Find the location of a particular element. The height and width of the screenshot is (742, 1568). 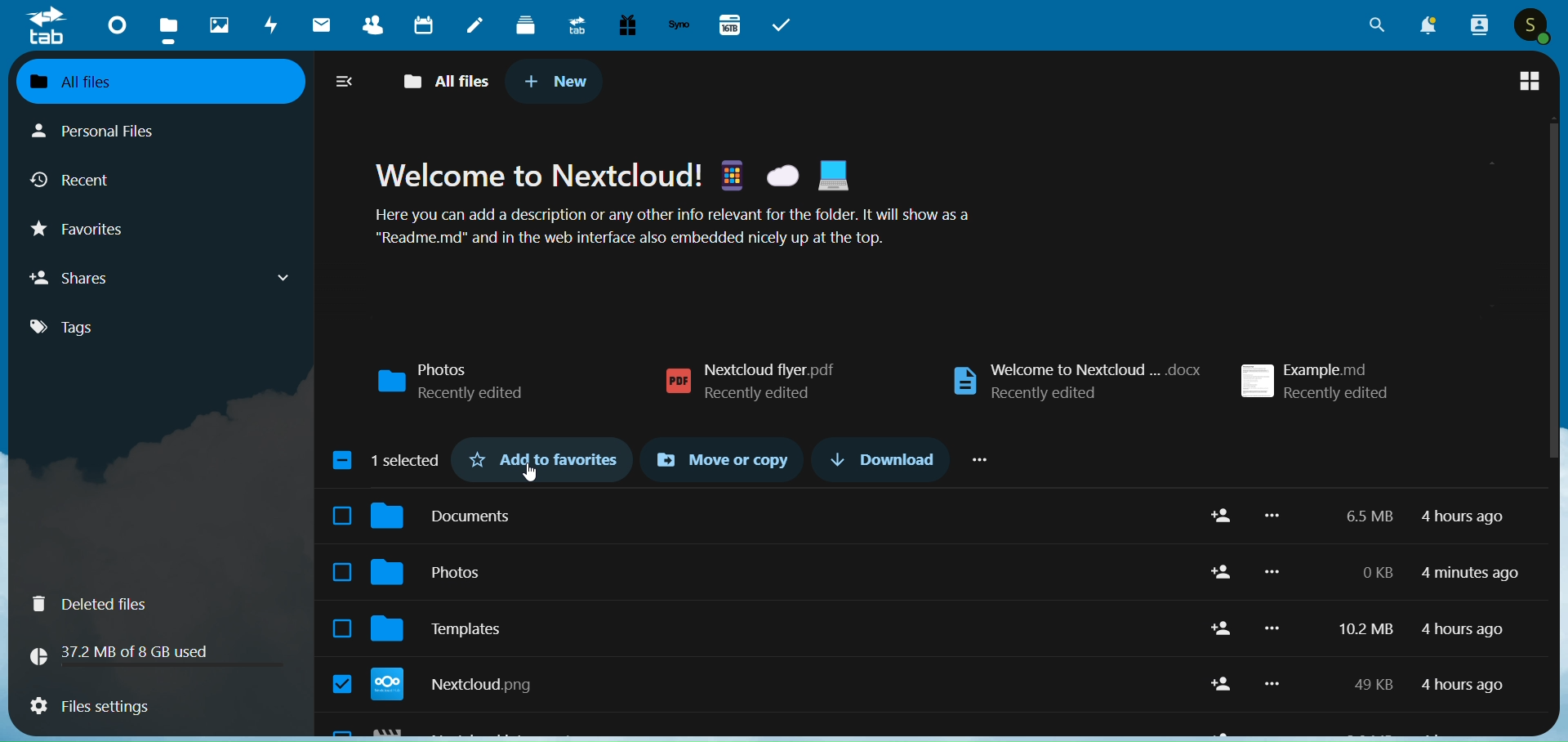

picture is located at coordinates (215, 26).